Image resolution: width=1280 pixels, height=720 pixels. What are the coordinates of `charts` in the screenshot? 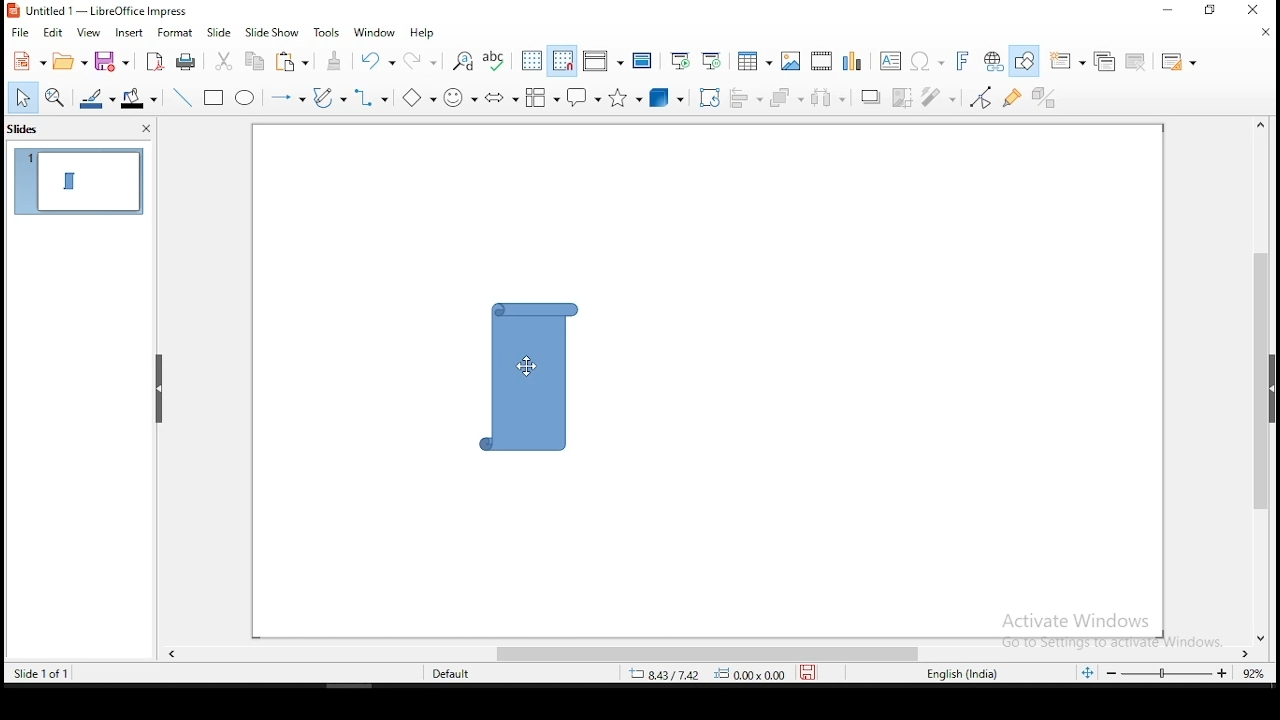 It's located at (852, 58).